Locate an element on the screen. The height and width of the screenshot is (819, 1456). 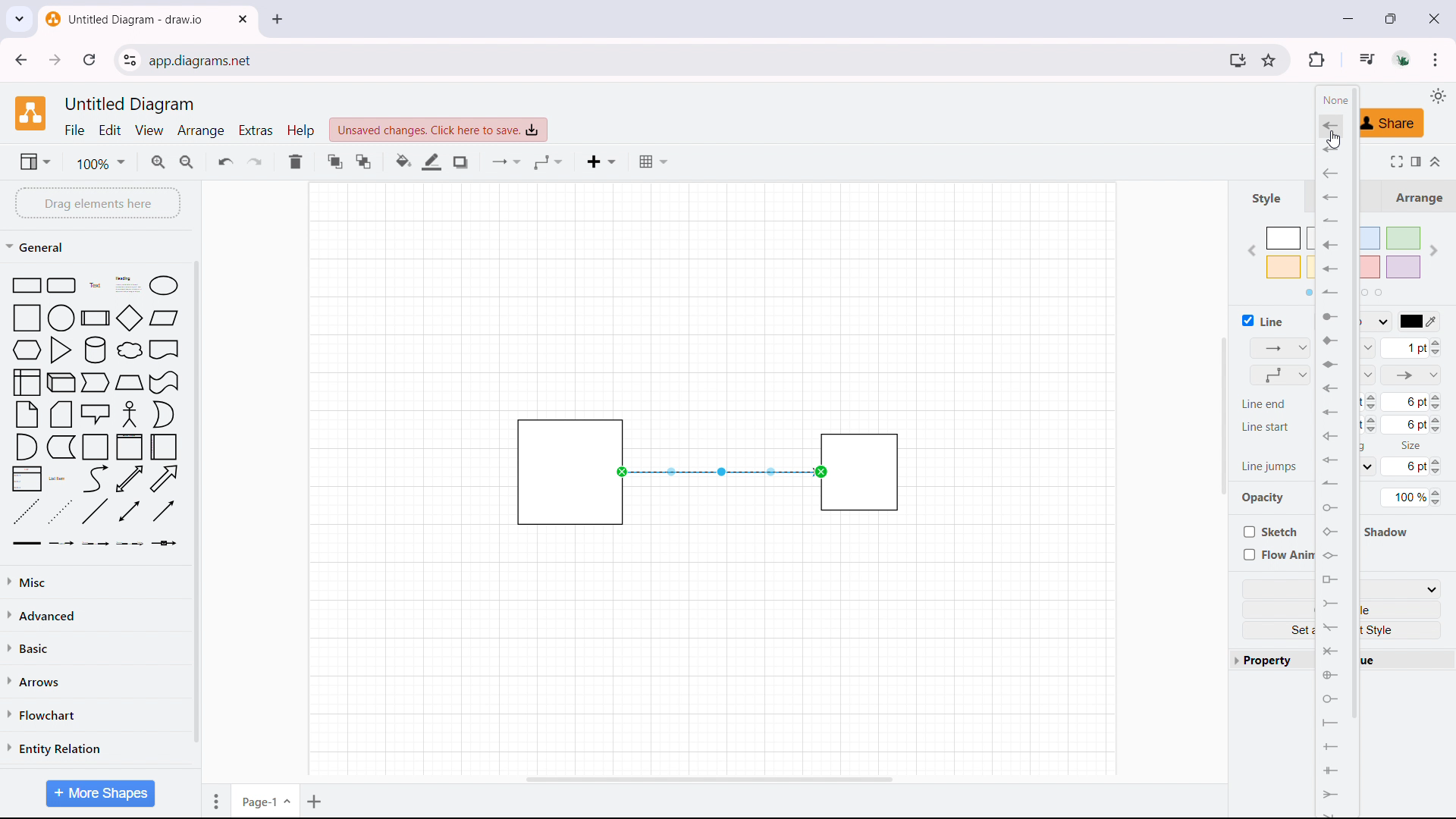
view site information is located at coordinates (130, 60).